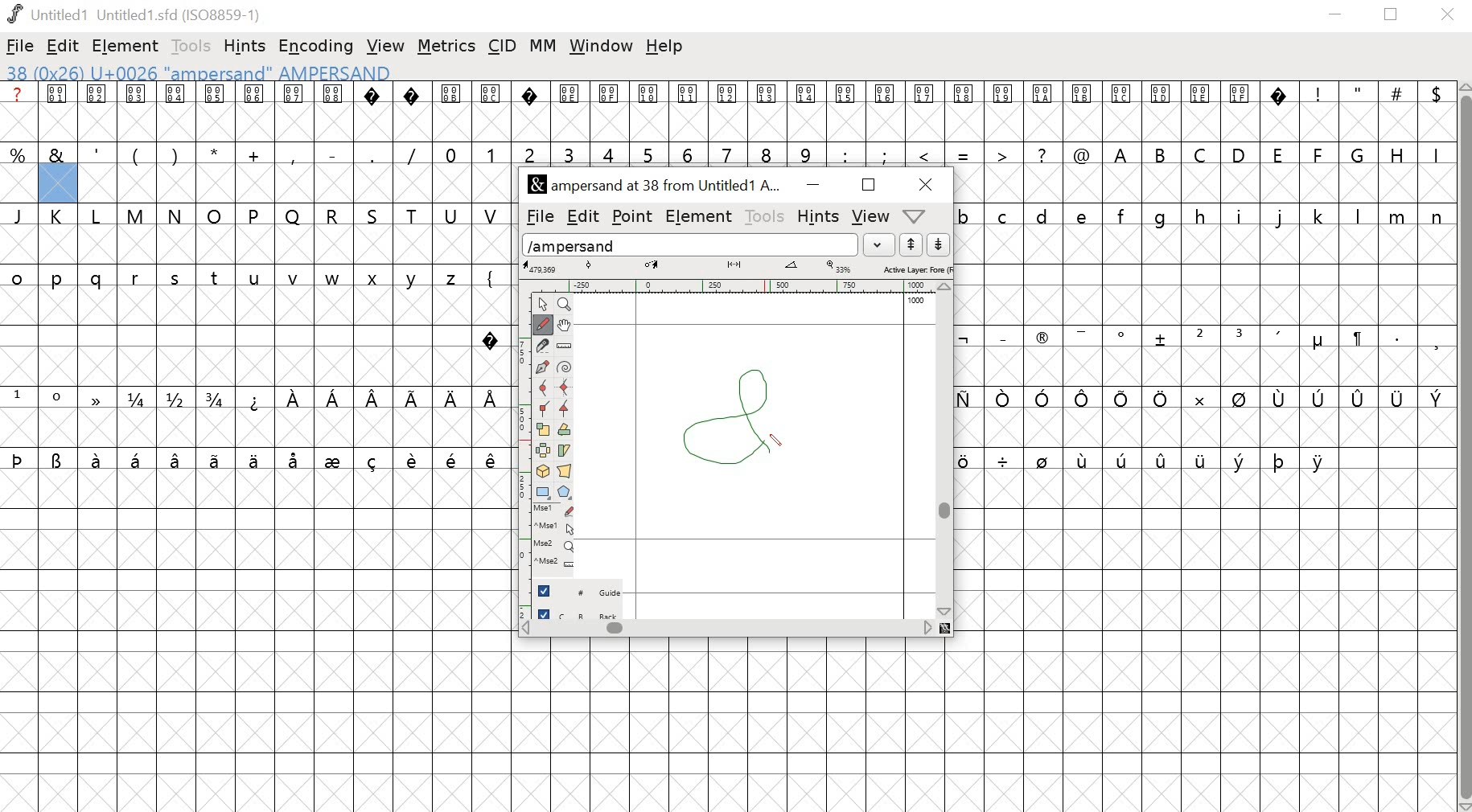  What do you see at coordinates (691, 243) in the screenshot?
I see `/ampersand` at bounding box center [691, 243].